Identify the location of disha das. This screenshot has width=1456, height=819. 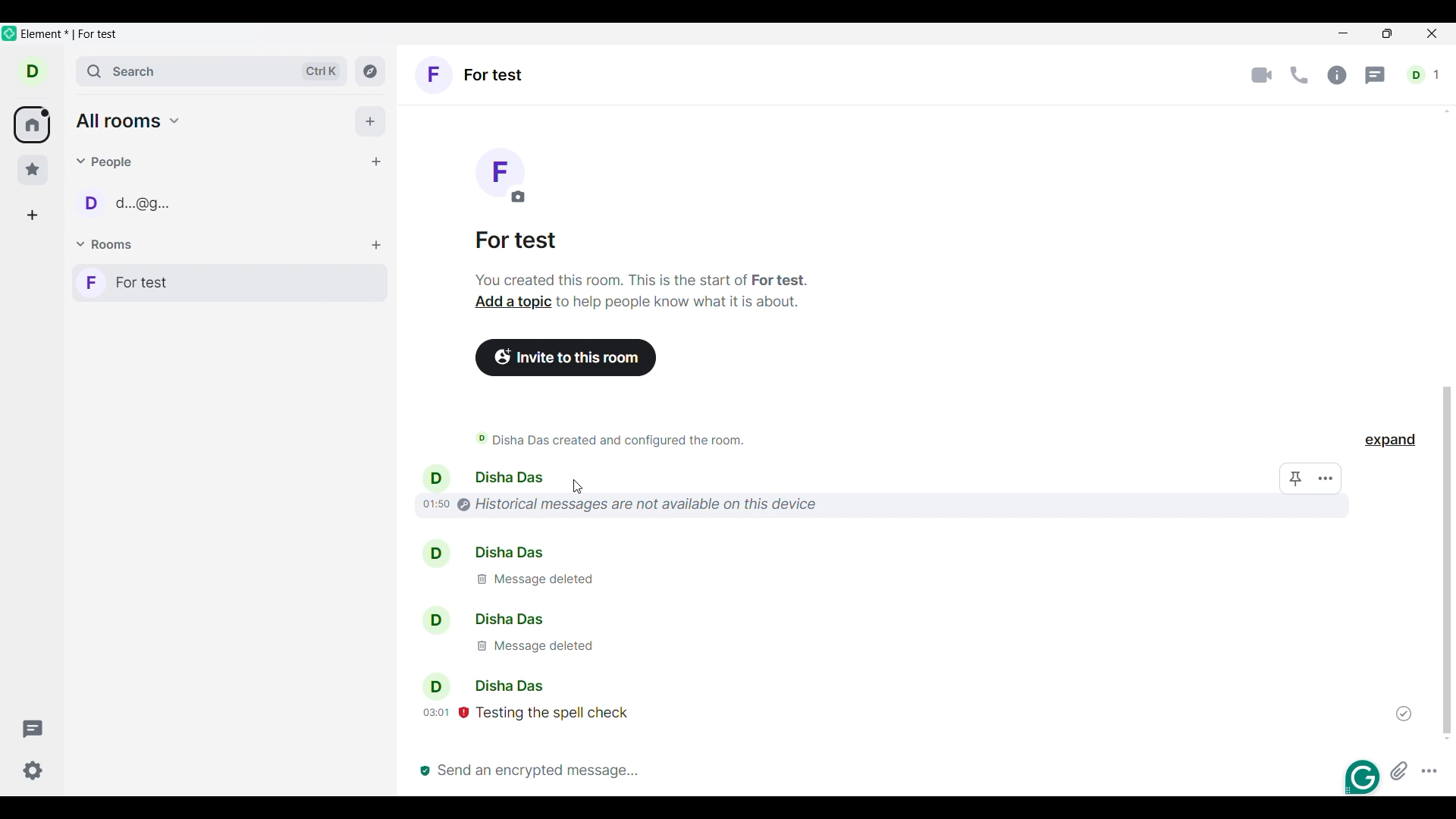
(479, 552).